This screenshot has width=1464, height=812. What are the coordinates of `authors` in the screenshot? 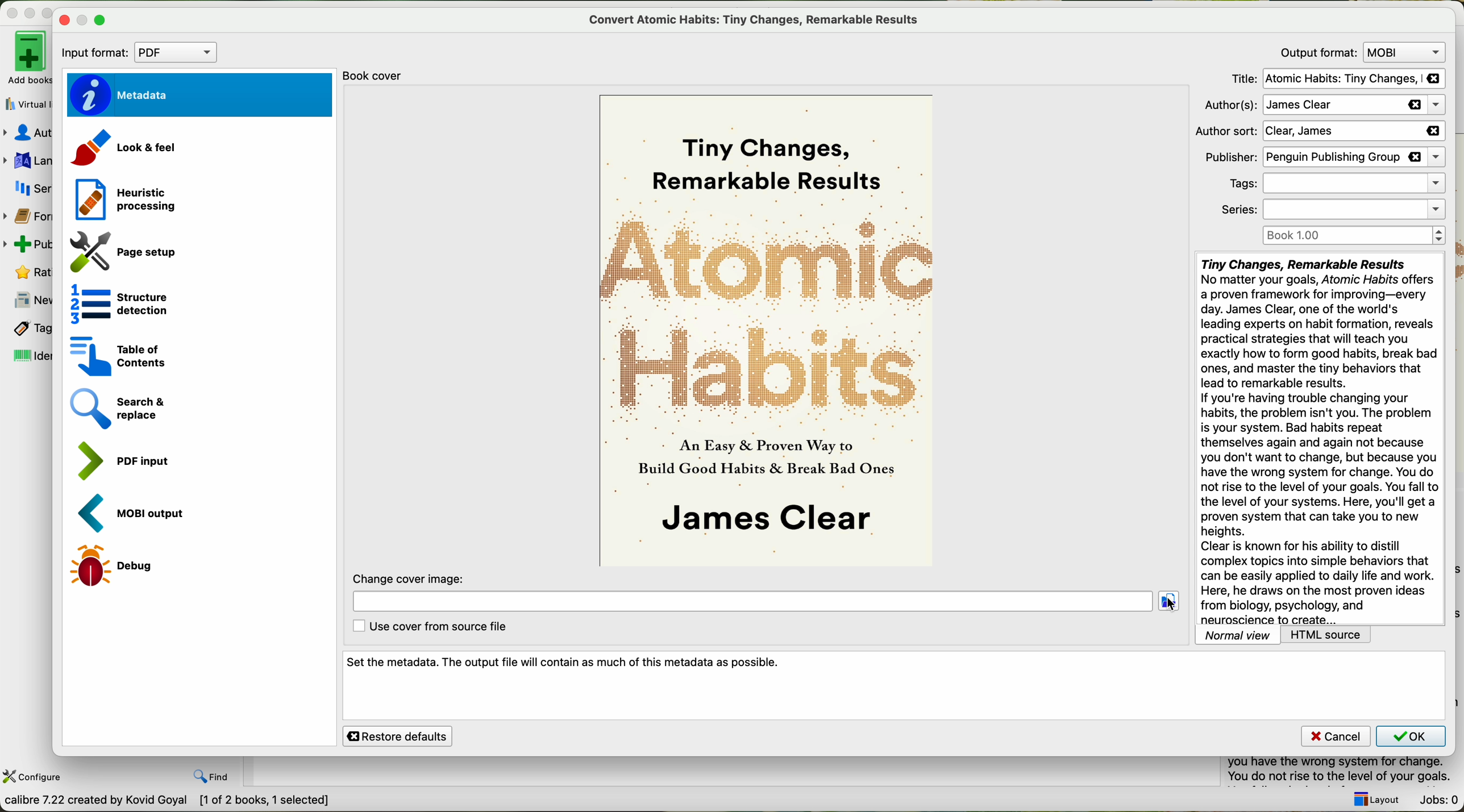 It's located at (1321, 106).